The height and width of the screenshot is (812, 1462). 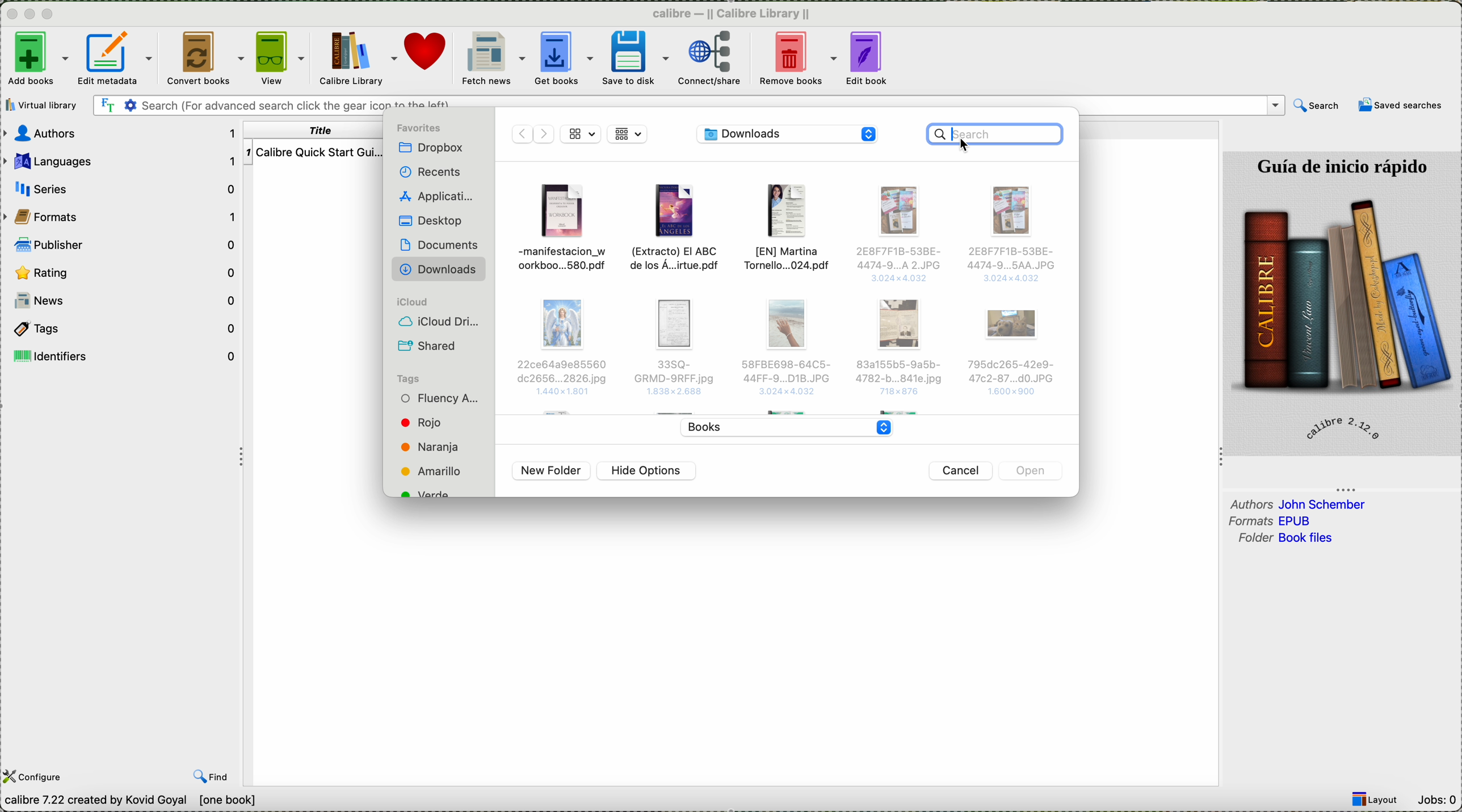 What do you see at coordinates (1400, 107) in the screenshot?
I see `saved searches` at bounding box center [1400, 107].